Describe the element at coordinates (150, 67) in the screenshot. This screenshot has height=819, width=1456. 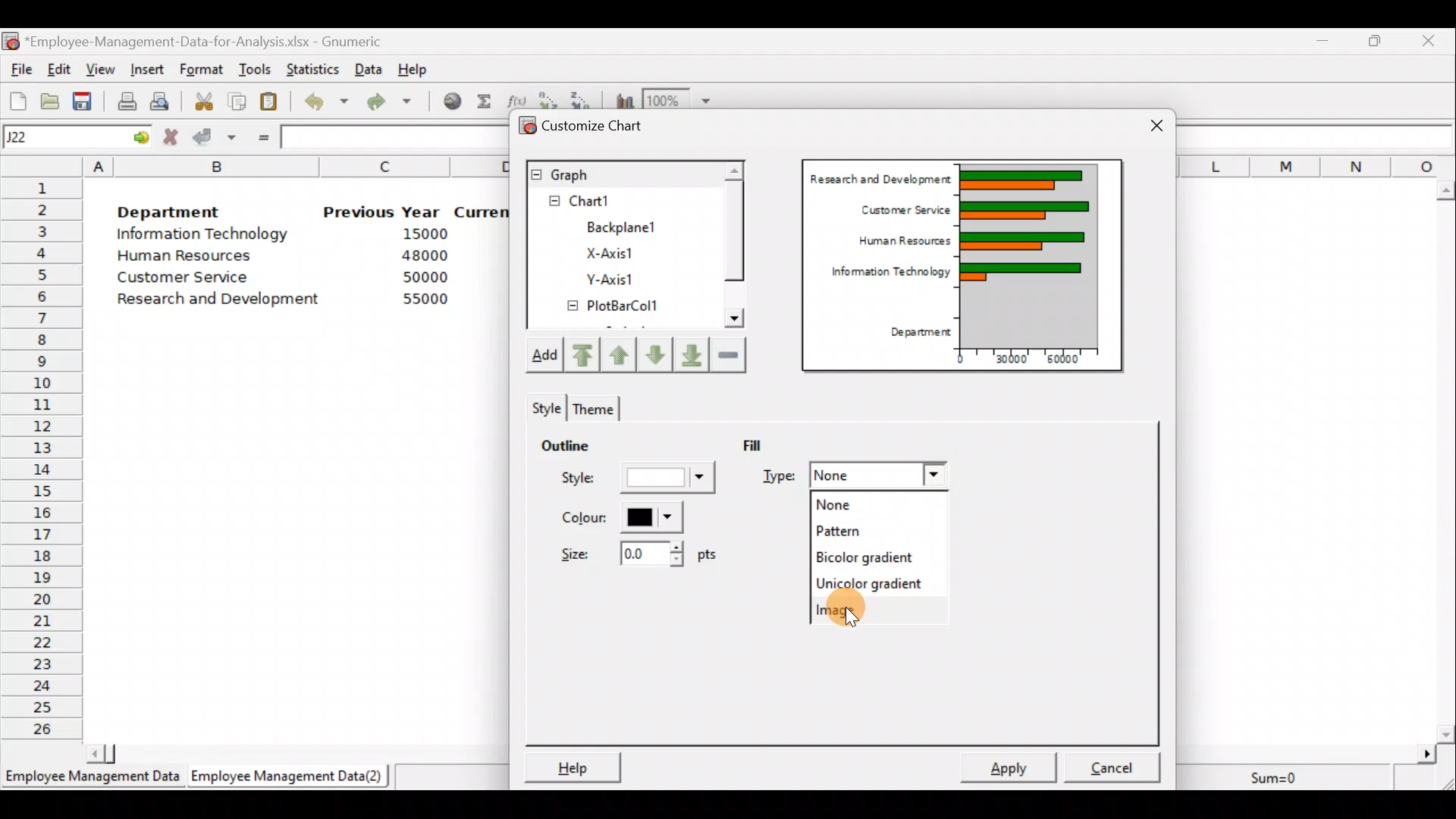
I see `Insert` at that location.